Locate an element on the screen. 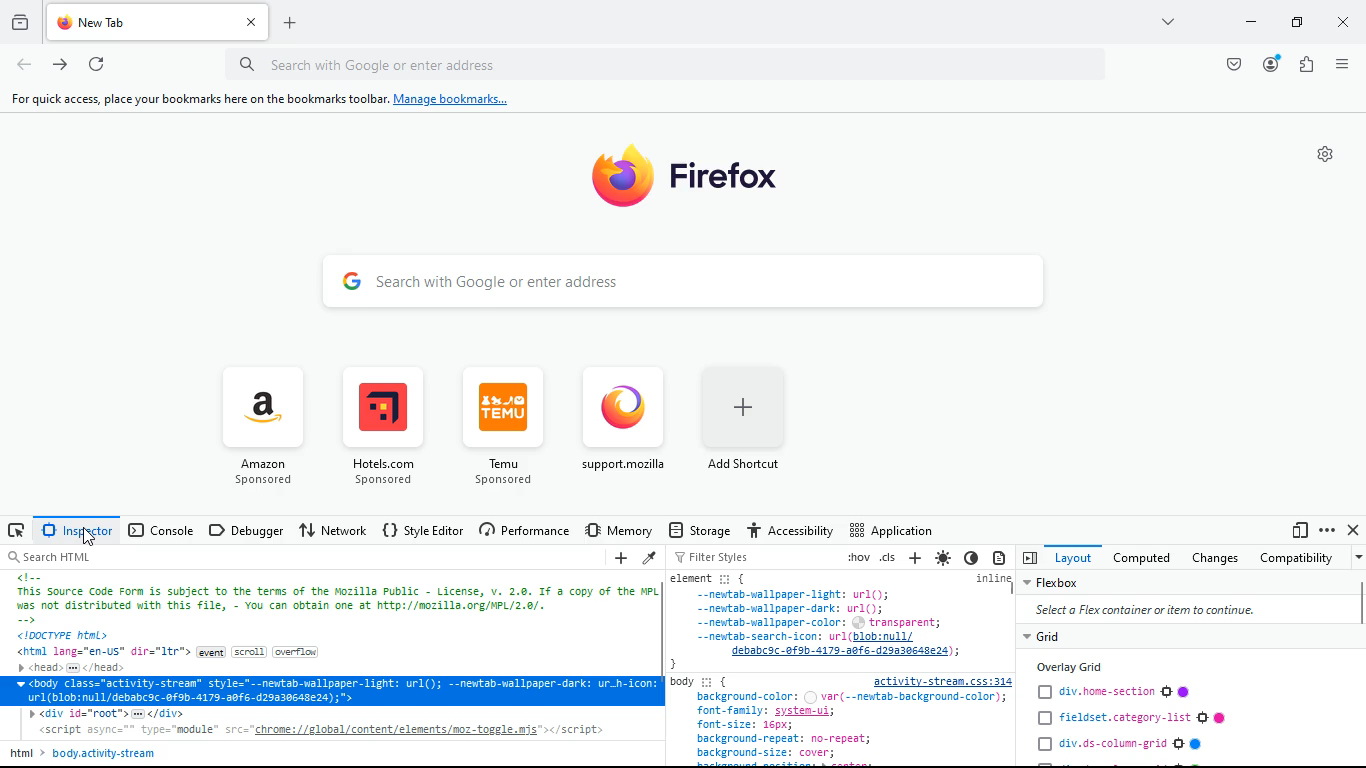 Image resolution: width=1366 pixels, height=768 pixels. console is located at coordinates (161, 532).